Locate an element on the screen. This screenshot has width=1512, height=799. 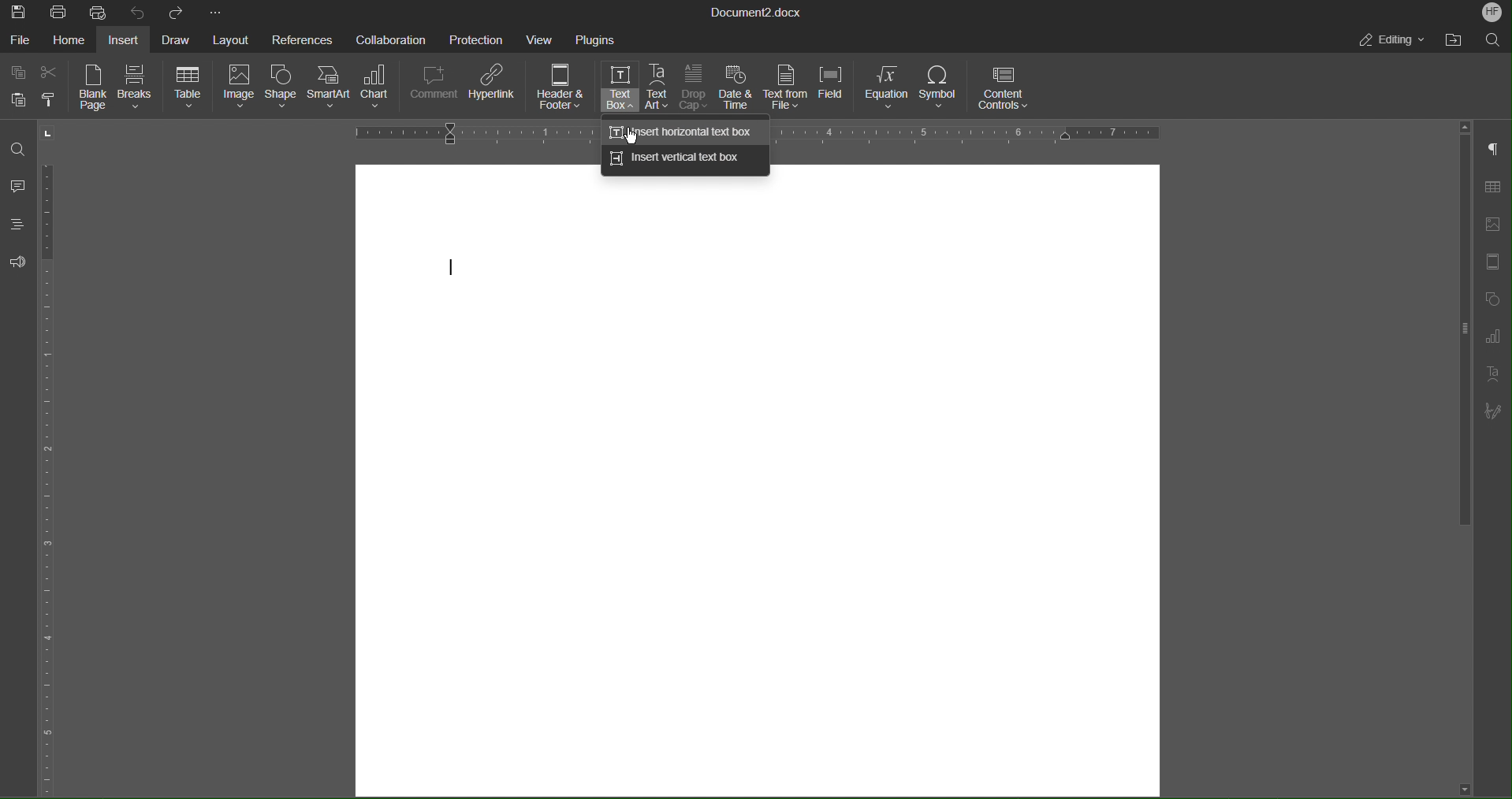
References is located at coordinates (300, 39).